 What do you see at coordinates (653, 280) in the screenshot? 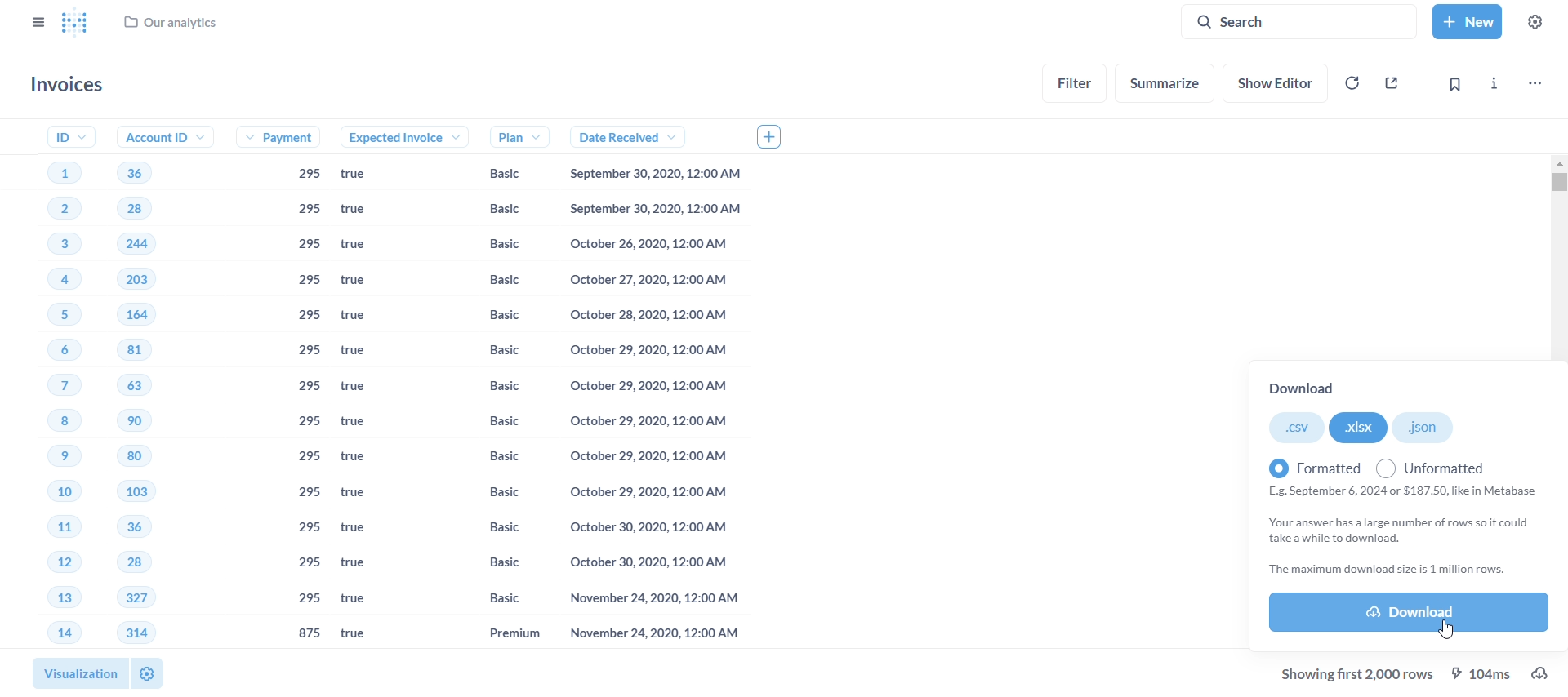
I see `October 27,2020, 12:00 AM` at bounding box center [653, 280].